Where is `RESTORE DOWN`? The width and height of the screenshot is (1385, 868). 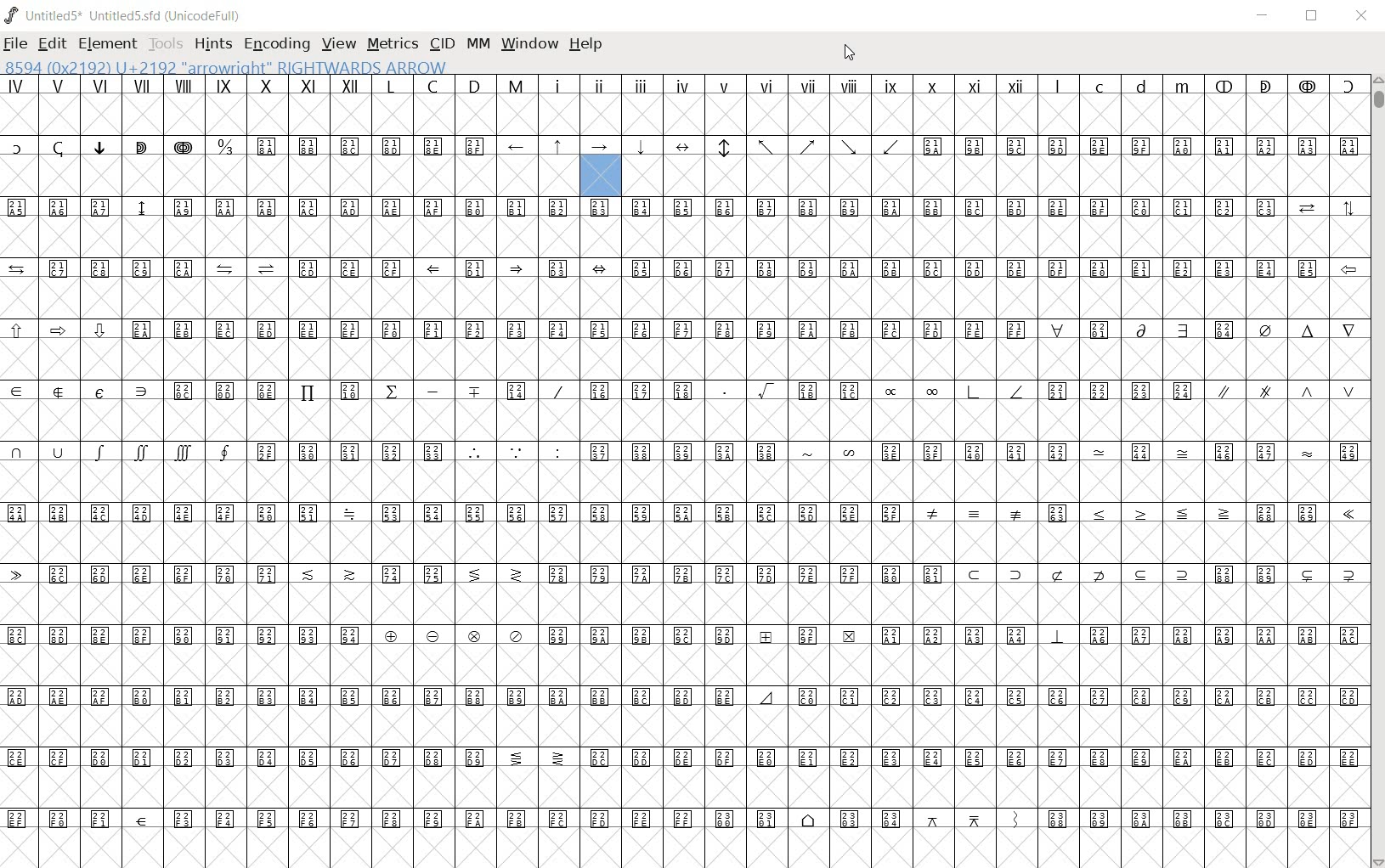
RESTORE DOWN is located at coordinates (1312, 16).